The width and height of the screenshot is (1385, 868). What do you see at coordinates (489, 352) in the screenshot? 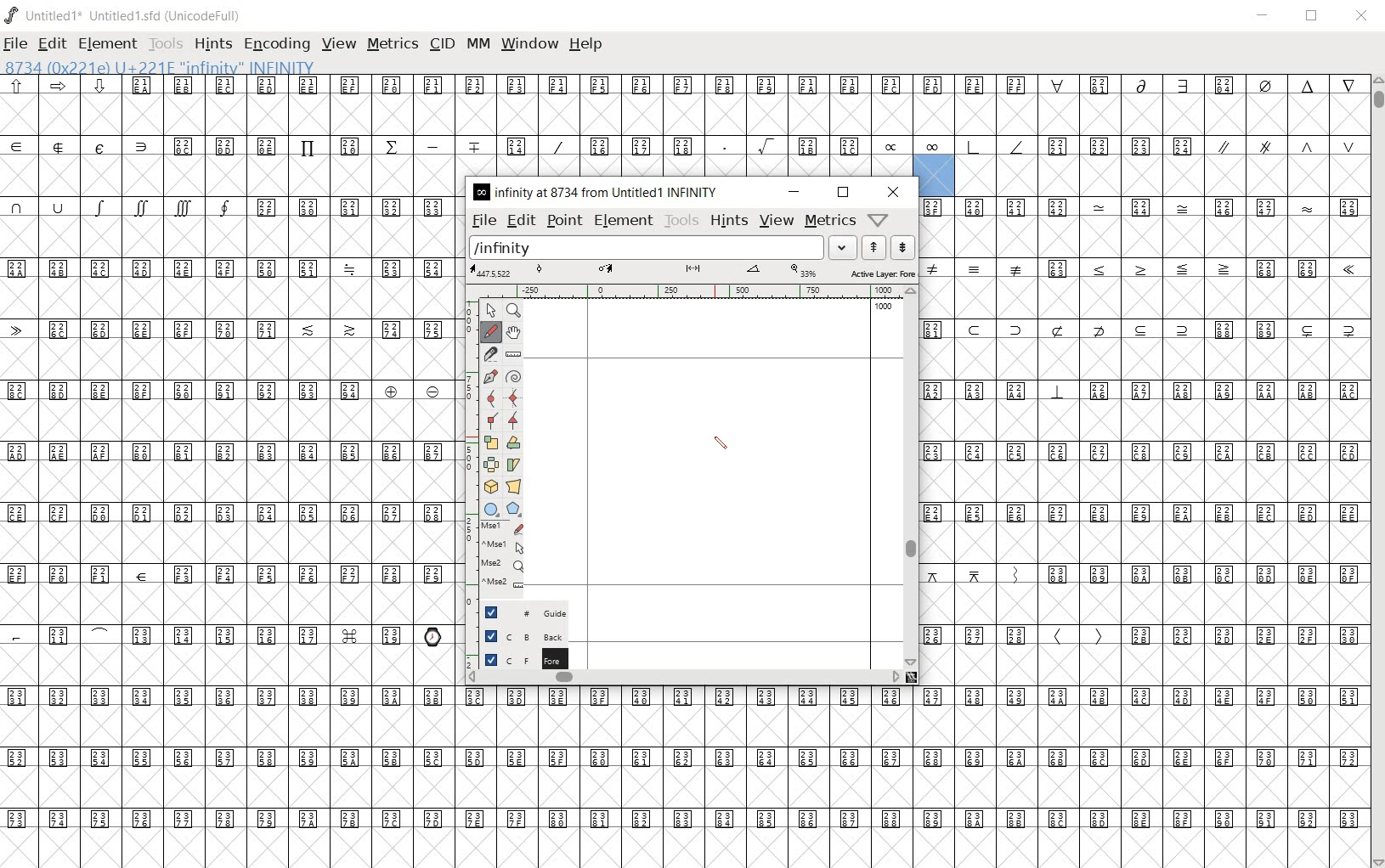
I see `cut splines in two` at bounding box center [489, 352].